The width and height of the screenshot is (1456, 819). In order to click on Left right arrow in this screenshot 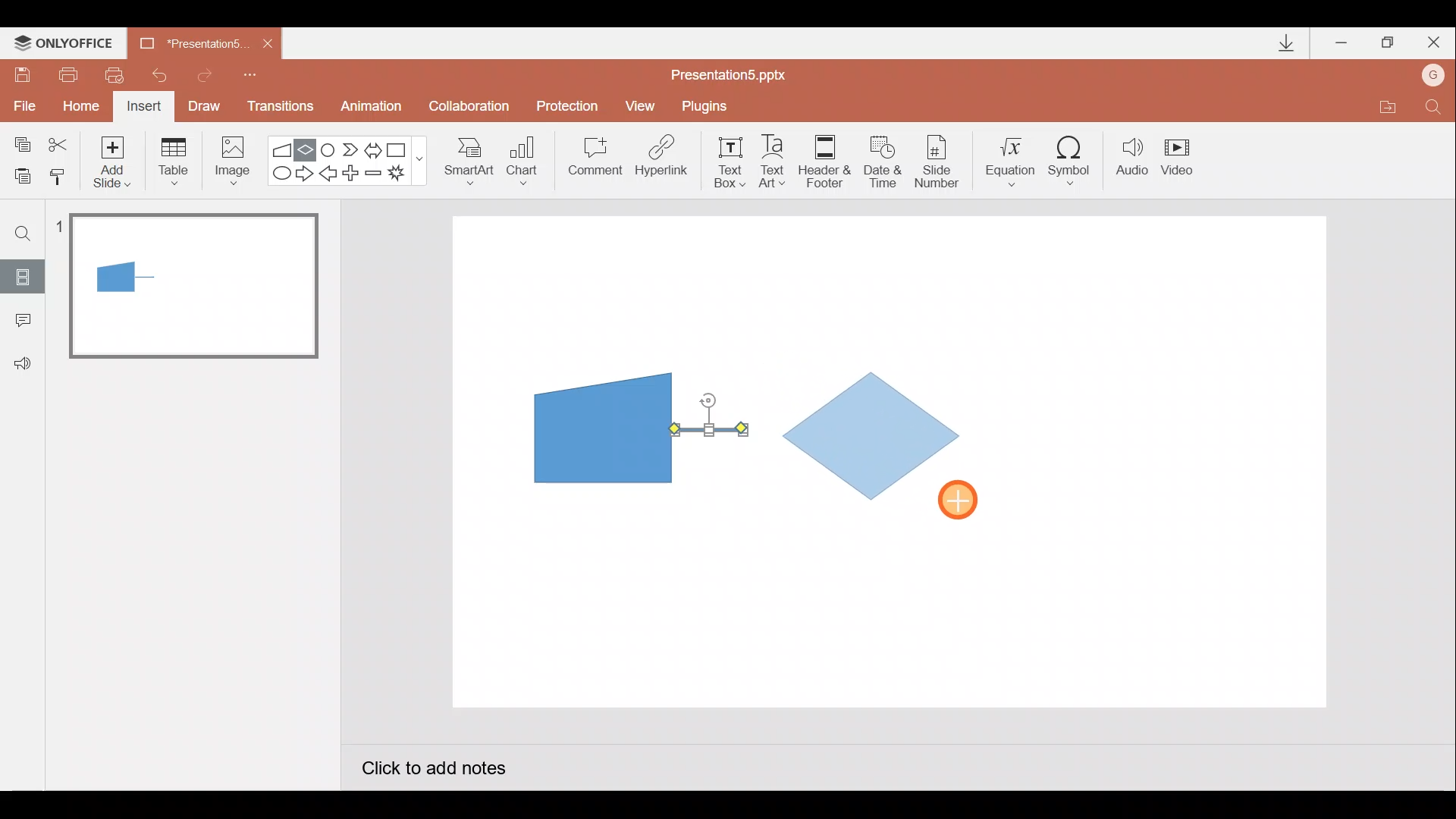, I will do `click(375, 147)`.